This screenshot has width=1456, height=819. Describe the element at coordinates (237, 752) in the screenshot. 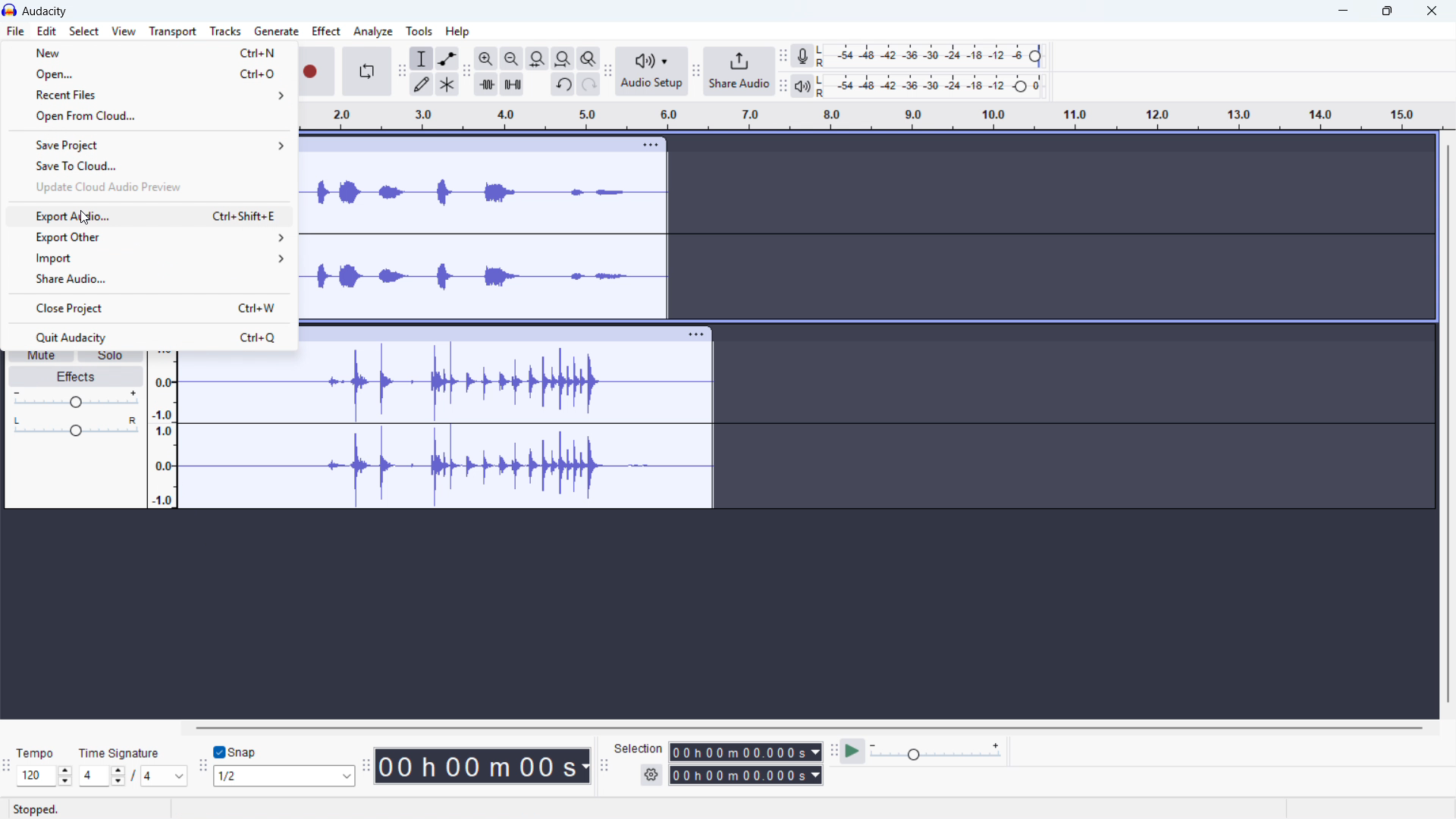

I see `Toggle snap` at that location.